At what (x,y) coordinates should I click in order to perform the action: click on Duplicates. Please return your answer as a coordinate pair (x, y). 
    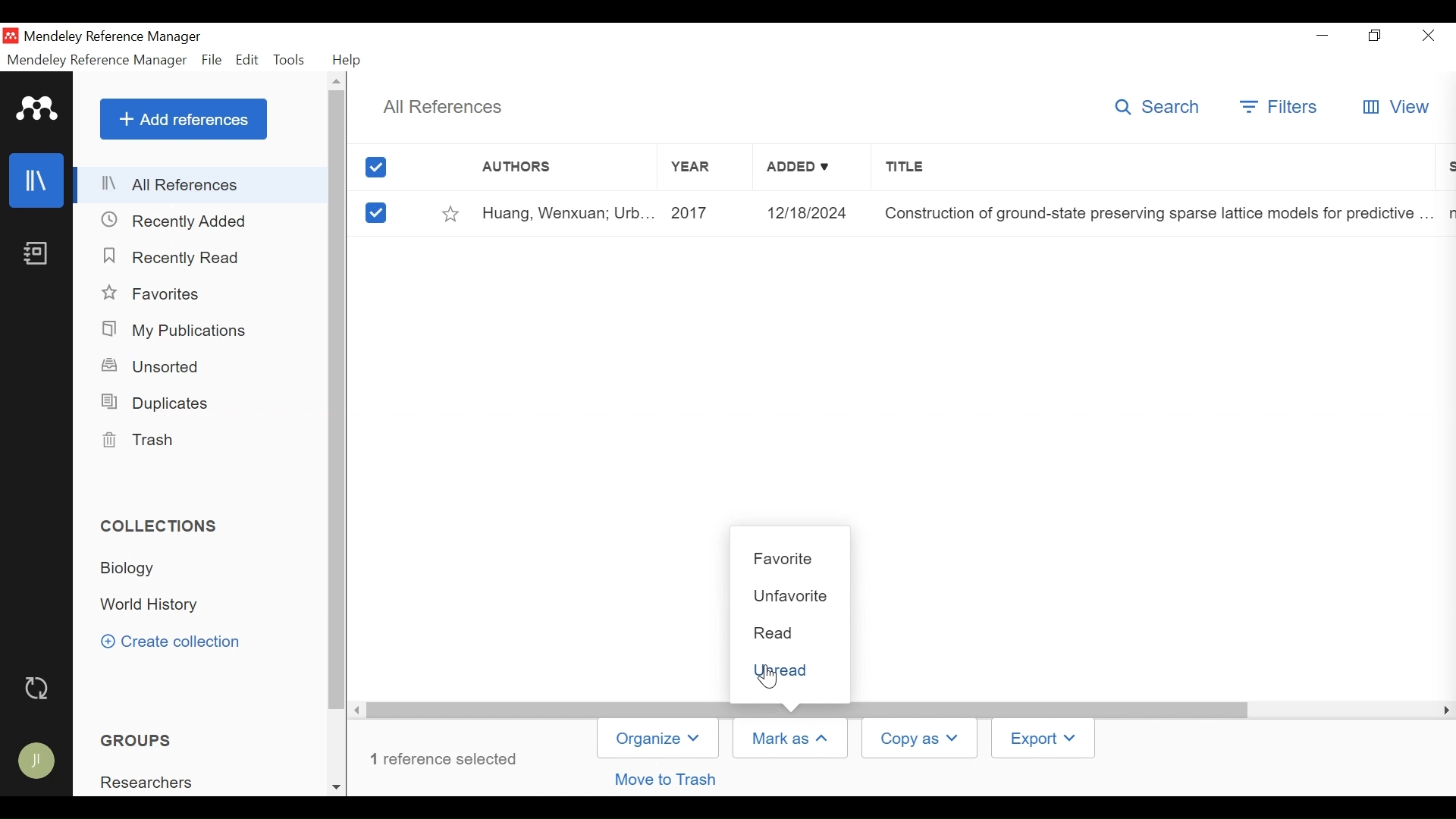
    Looking at the image, I should click on (157, 403).